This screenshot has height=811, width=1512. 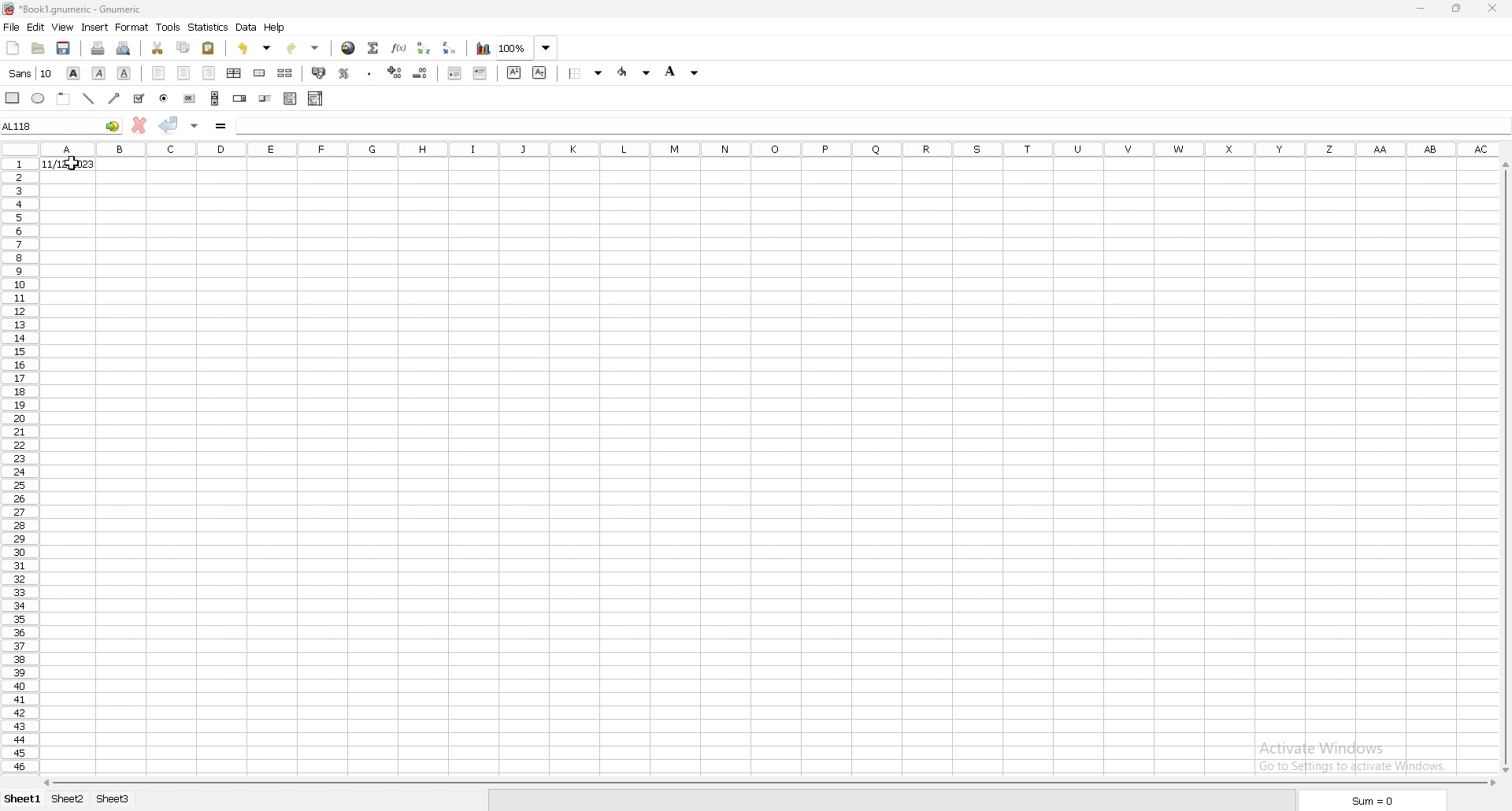 What do you see at coordinates (67, 164) in the screenshot?
I see `date` at bounding box center [67, 164].